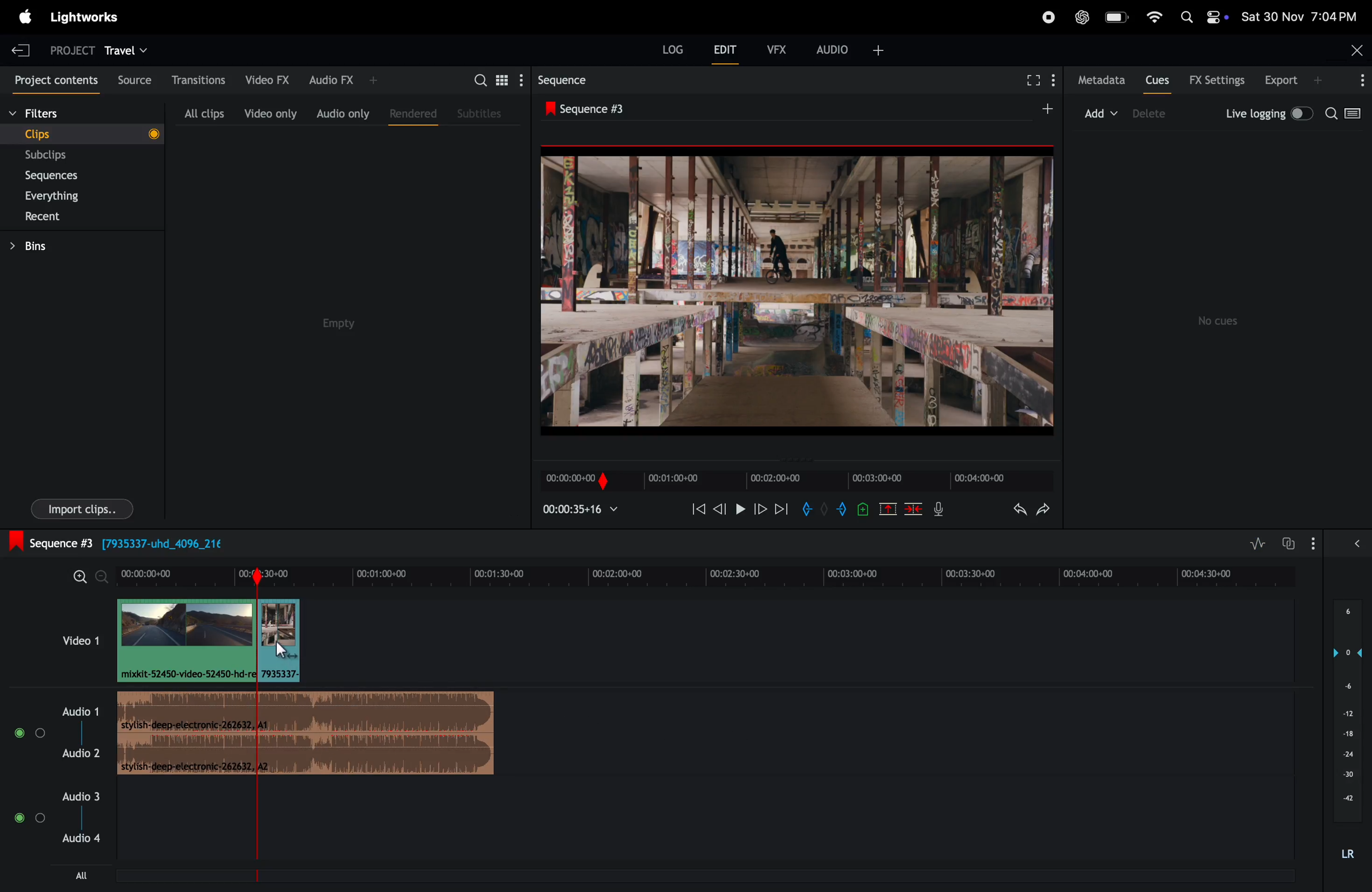 This screenshot has height=892, width=1372. What do you see at coordinates (1345, 776) in the screenshot?
I see `-30 (layers)` at bounding box center [1345, 776].